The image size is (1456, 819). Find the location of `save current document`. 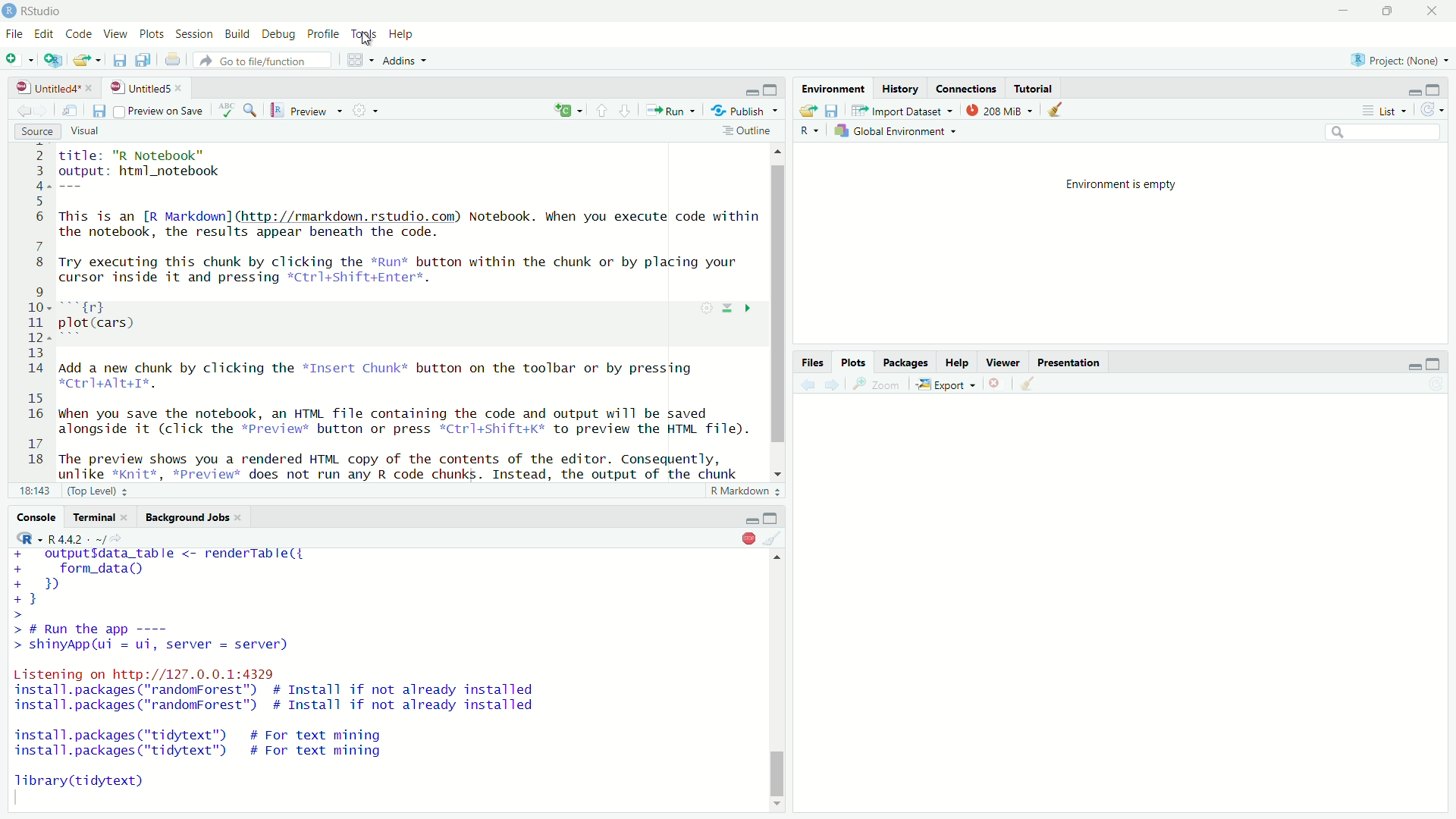

save current document is located at coordinates (120, 60).